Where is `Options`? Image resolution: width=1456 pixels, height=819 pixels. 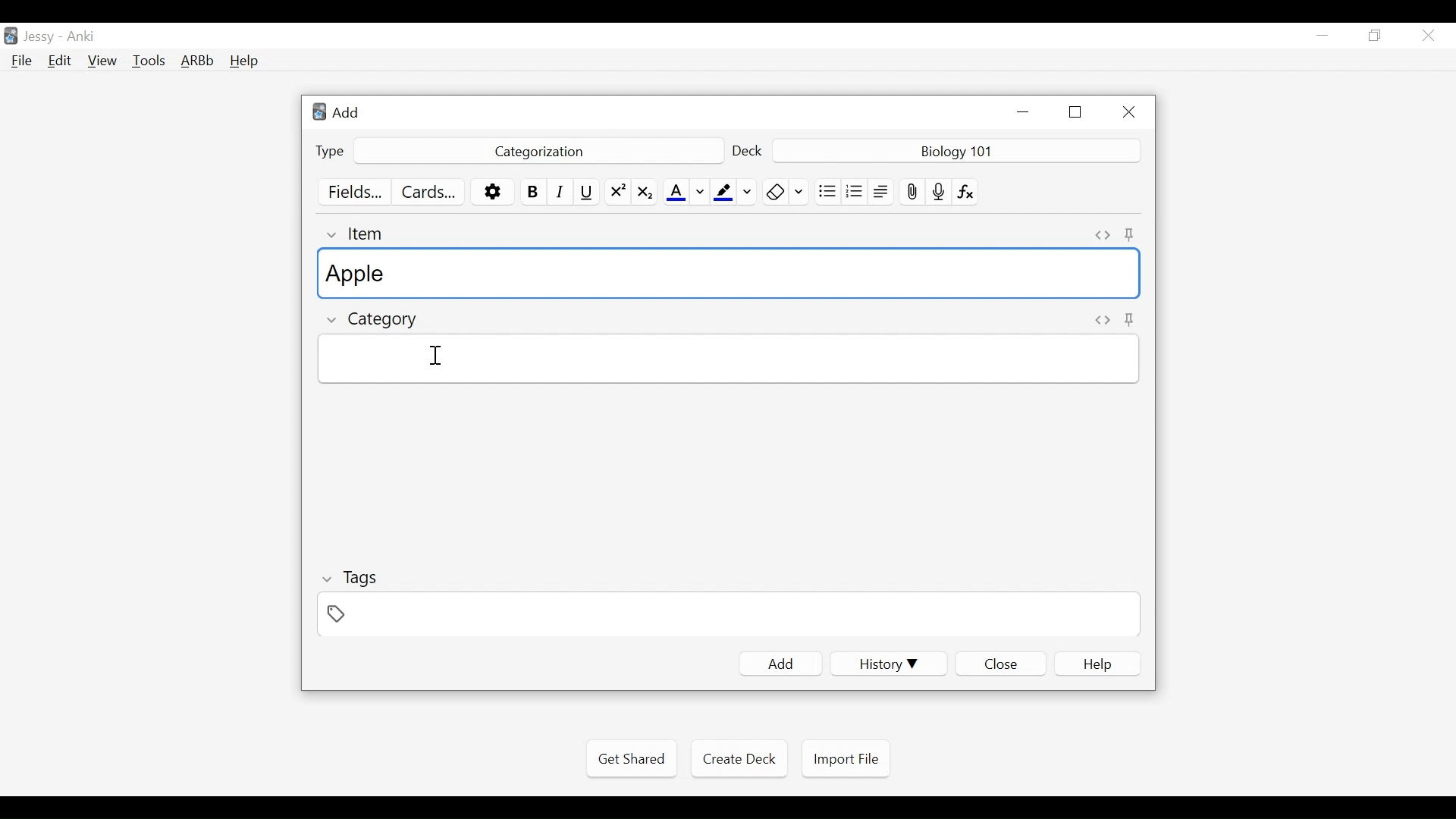
Options is located at coordinates (492, 193).